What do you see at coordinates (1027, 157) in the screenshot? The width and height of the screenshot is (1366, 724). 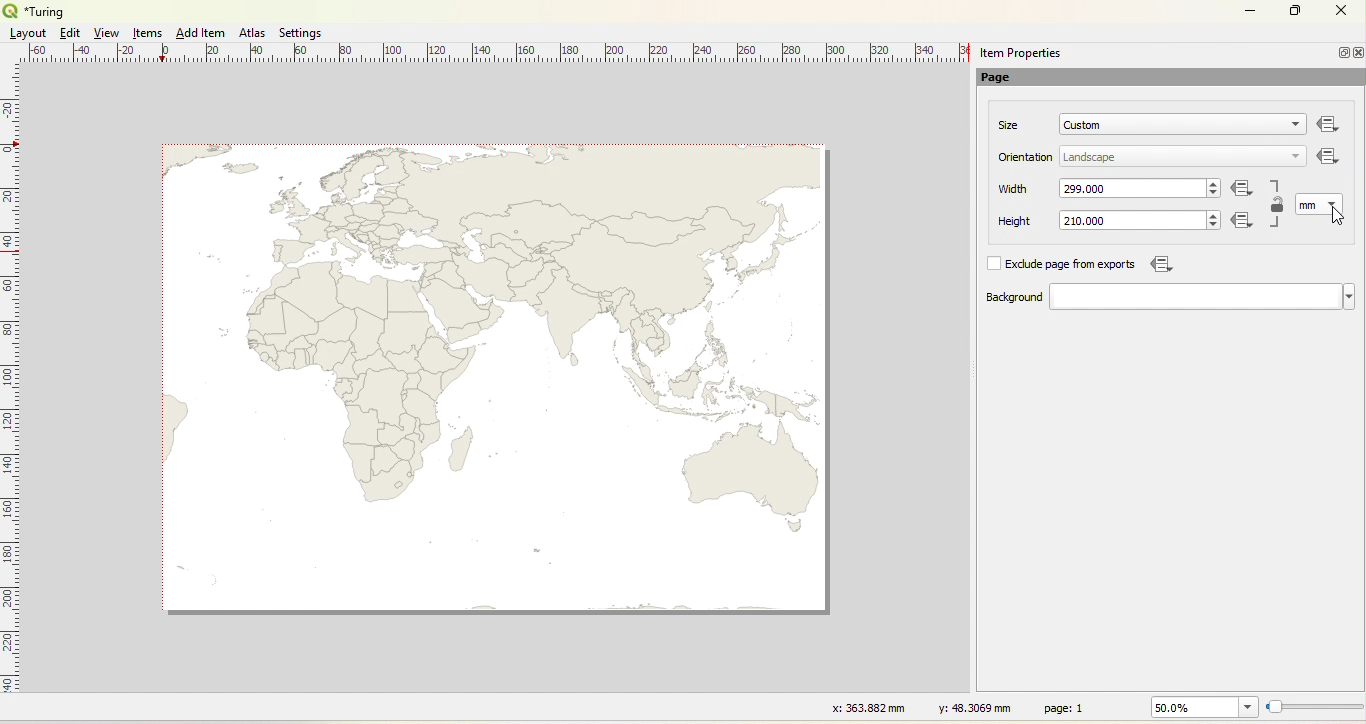 I see `Orientation` at bounding box center [1027, 157].